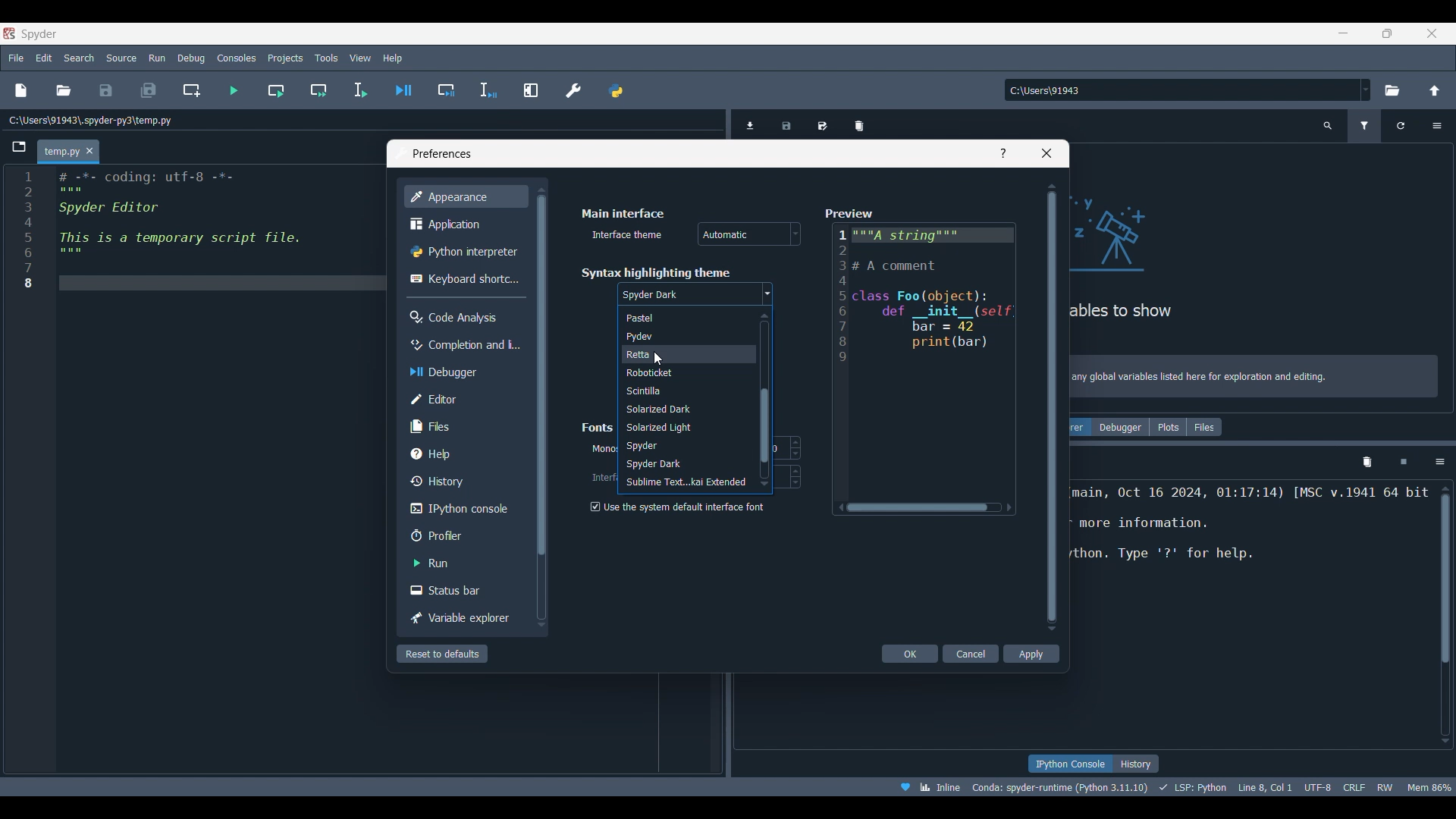 Image resolution: width=1456 pixels, height=819 pixels. What do you see at coordinates (753, 124) in the screenshot?
I see `Import data` at bounding box center [753, 124].